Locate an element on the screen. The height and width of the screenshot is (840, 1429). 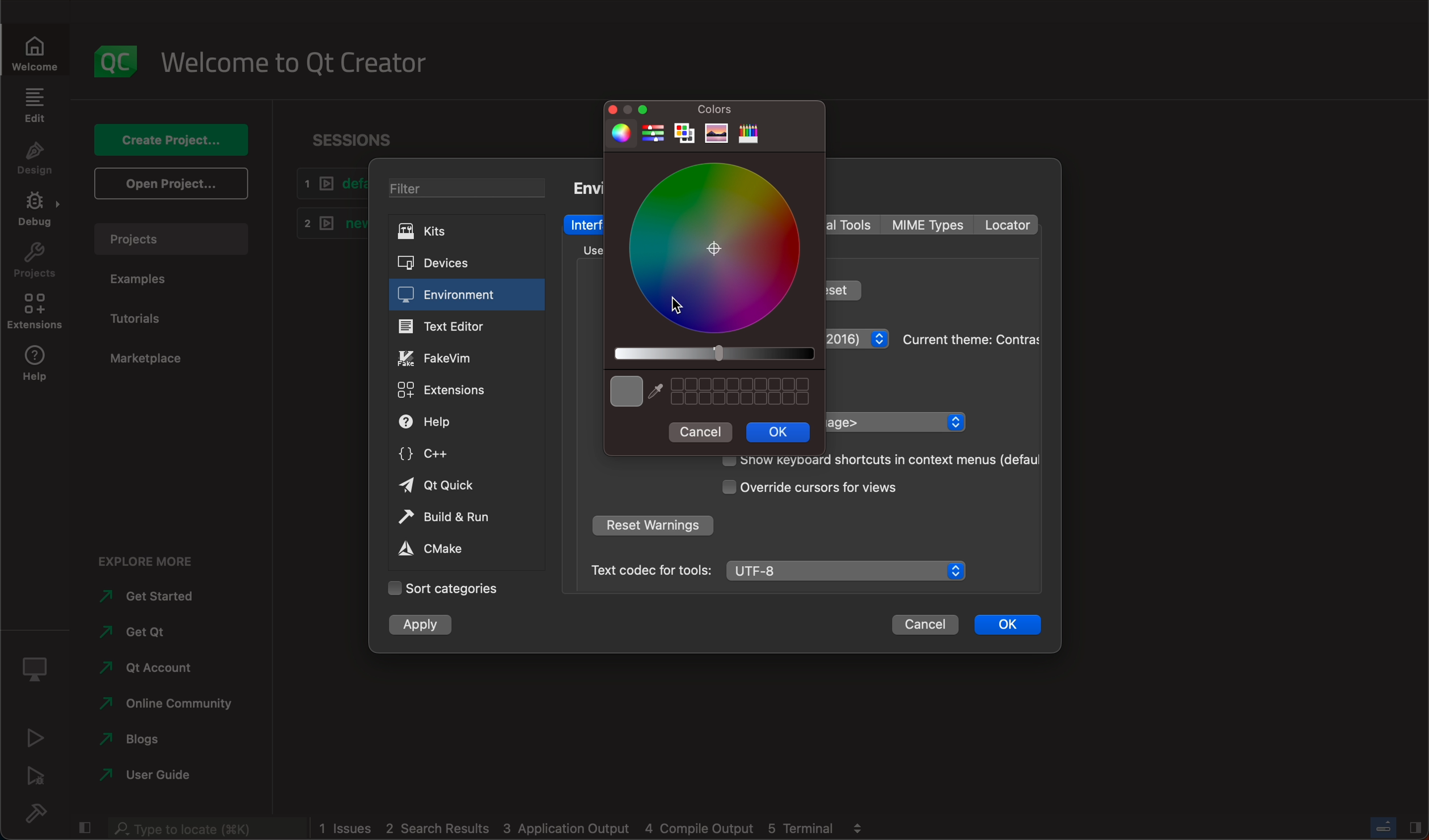
logo is located at coordinates (116, 55).